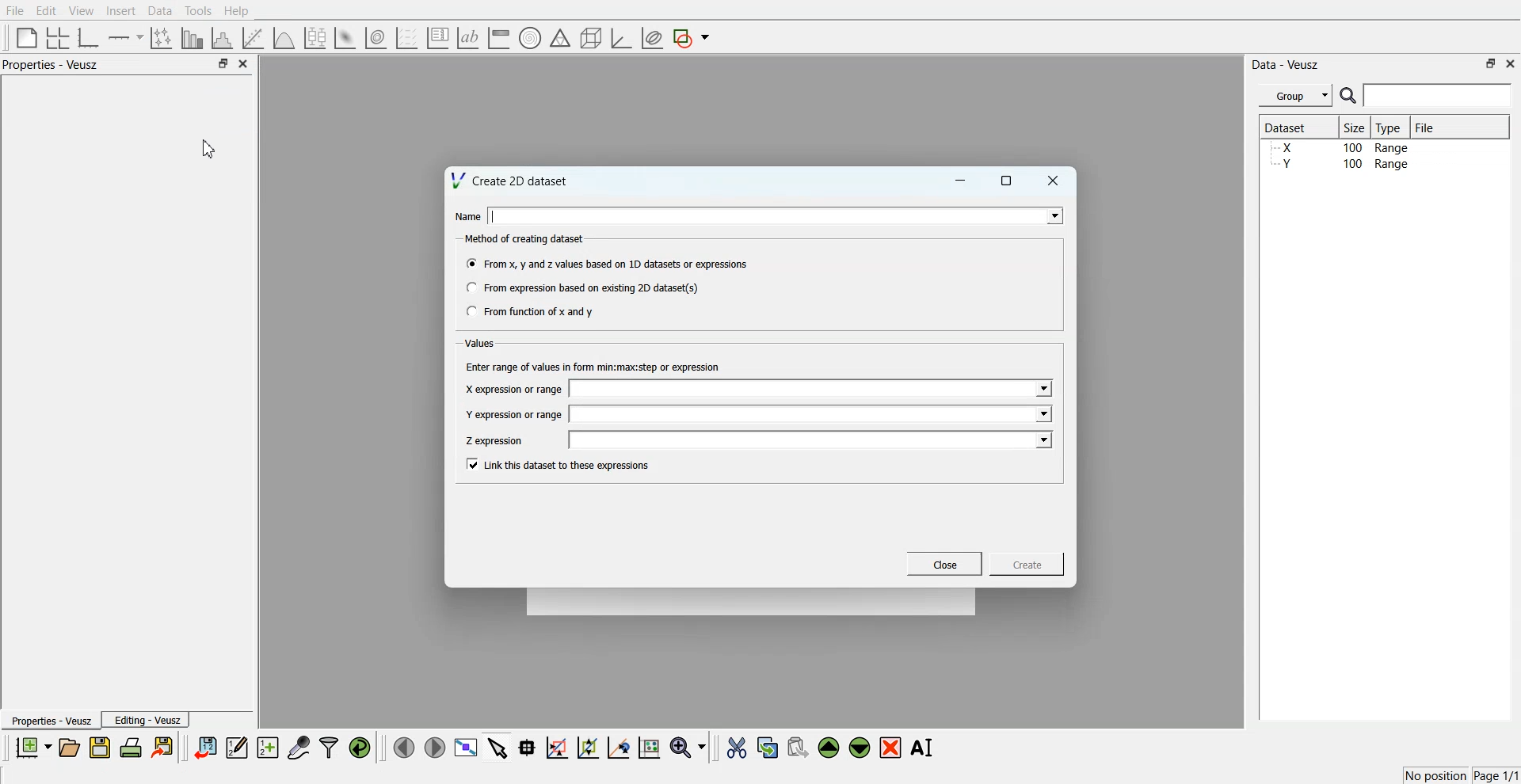 This screenshot has height=784, width=1521. Describe the element at coordinates (814, 440) in the screenshot. I see `Enter name` at that location.